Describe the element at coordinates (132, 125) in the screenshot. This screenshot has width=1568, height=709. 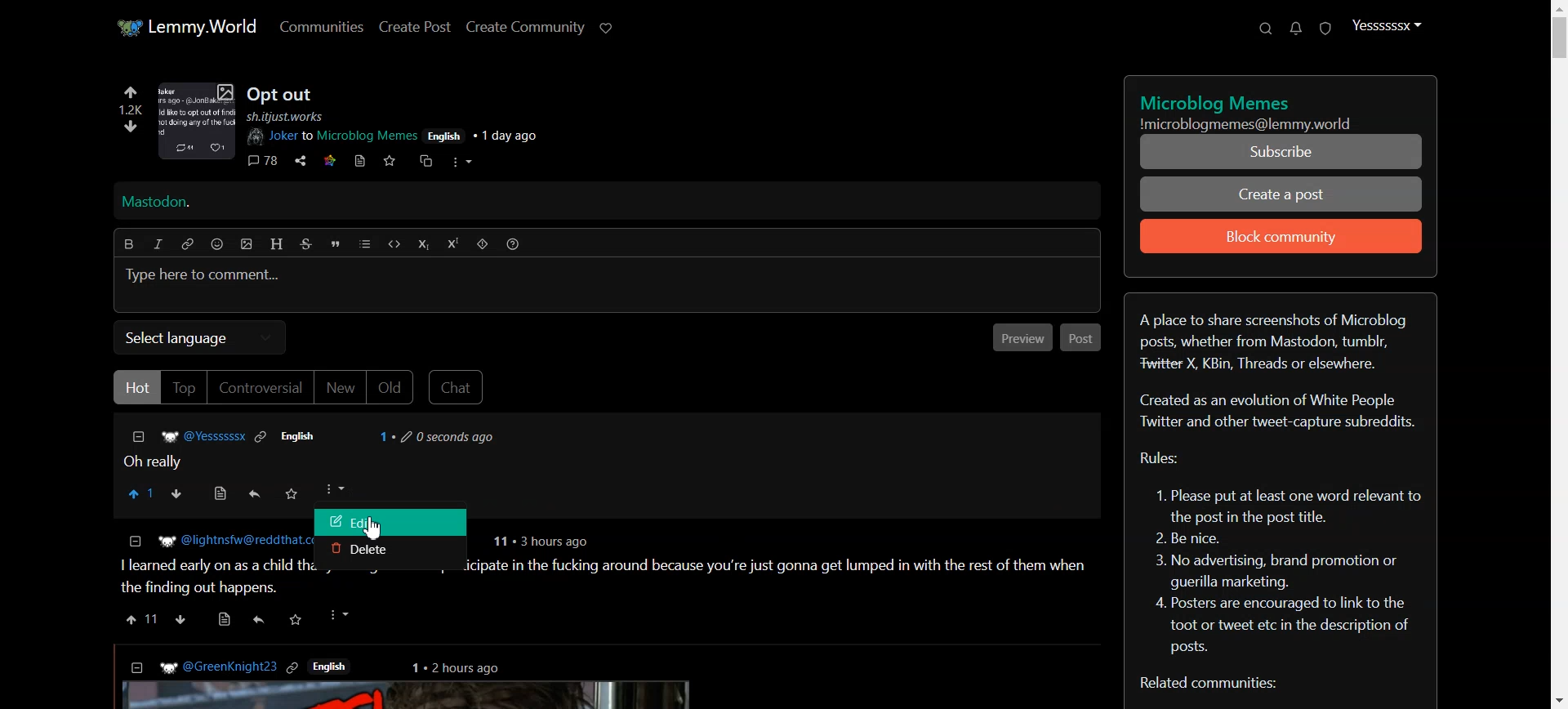
I see `downvote` at that location.